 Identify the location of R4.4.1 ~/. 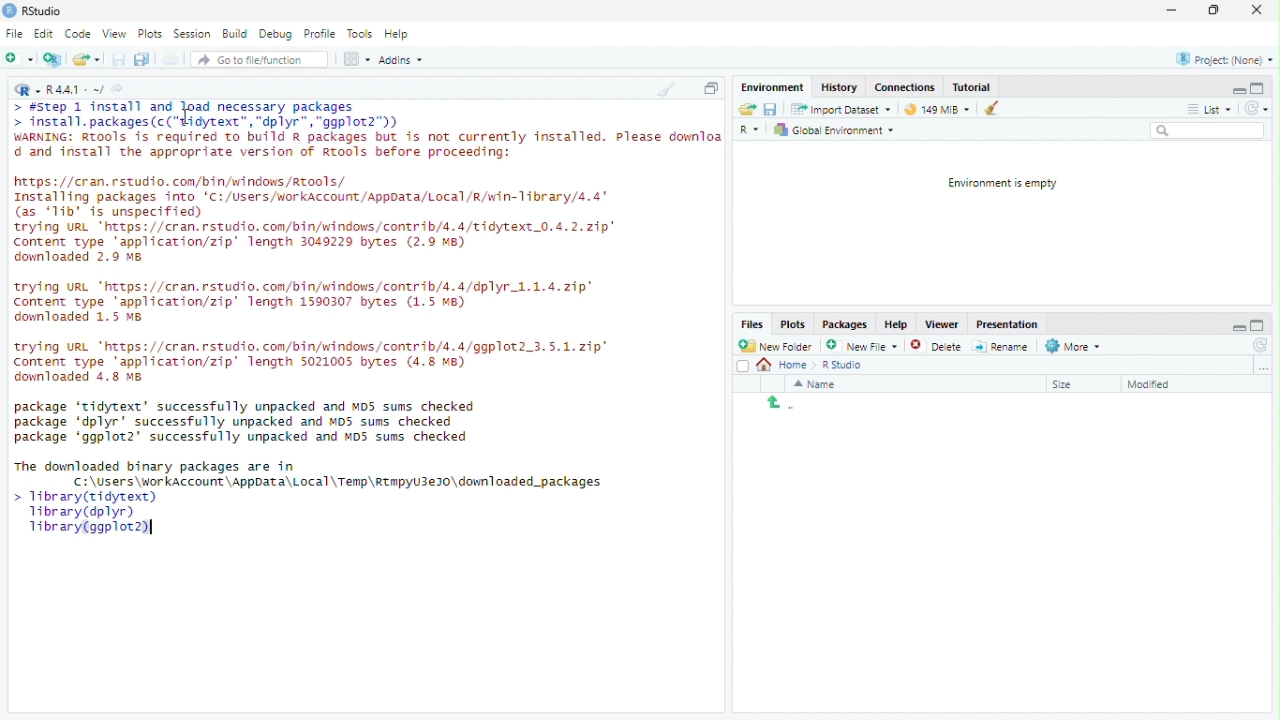
(77, 91).